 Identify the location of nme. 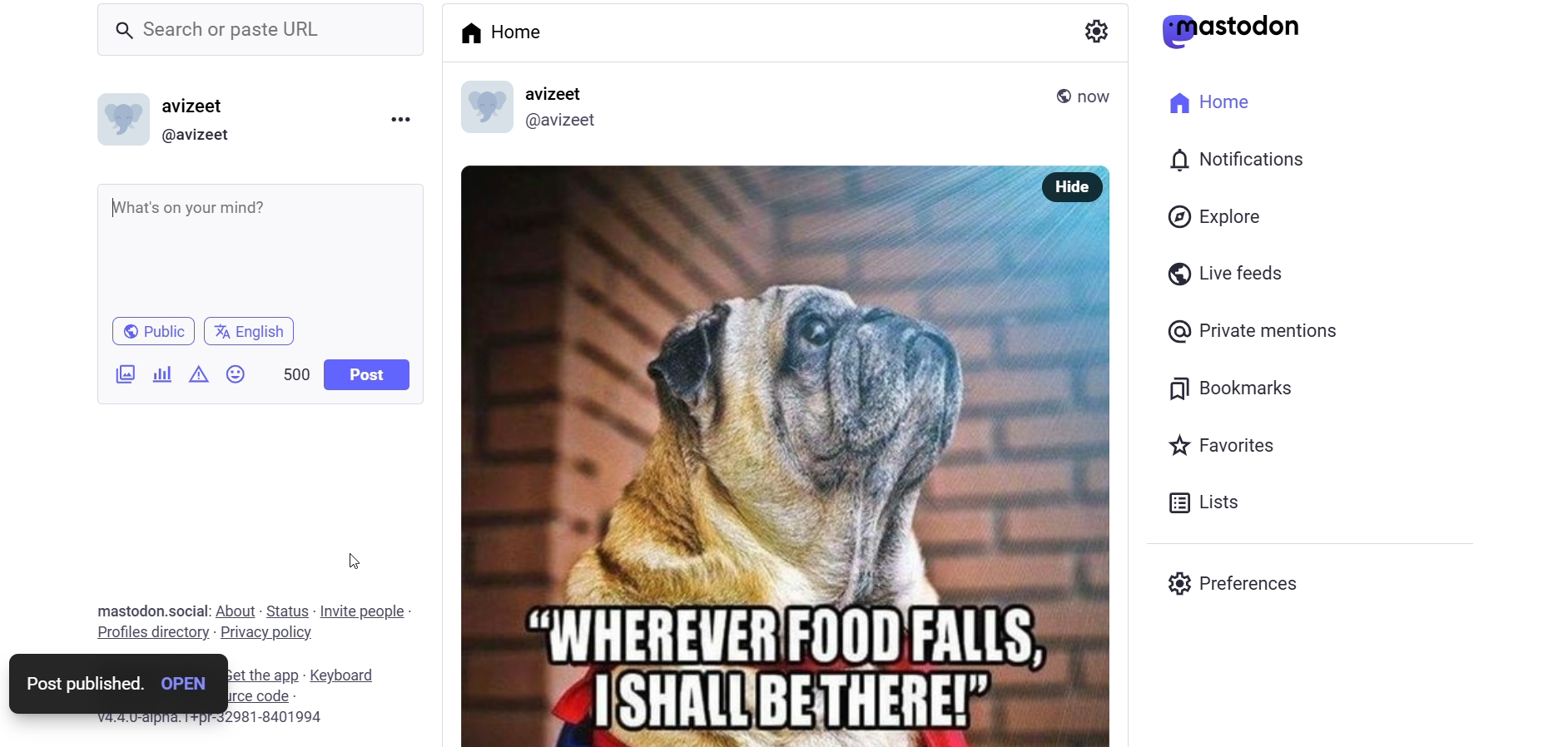
(200, 106).